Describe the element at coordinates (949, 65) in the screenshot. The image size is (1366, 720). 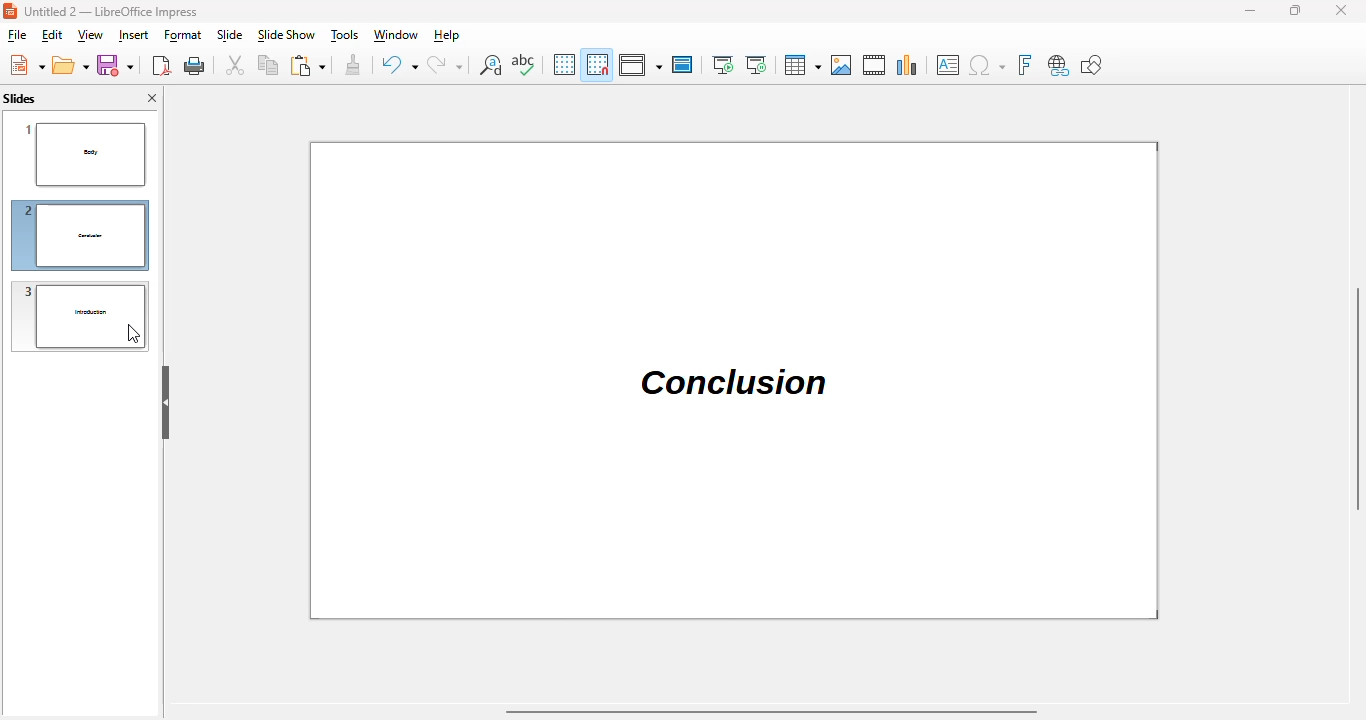
I see `insert textbox` at that location.